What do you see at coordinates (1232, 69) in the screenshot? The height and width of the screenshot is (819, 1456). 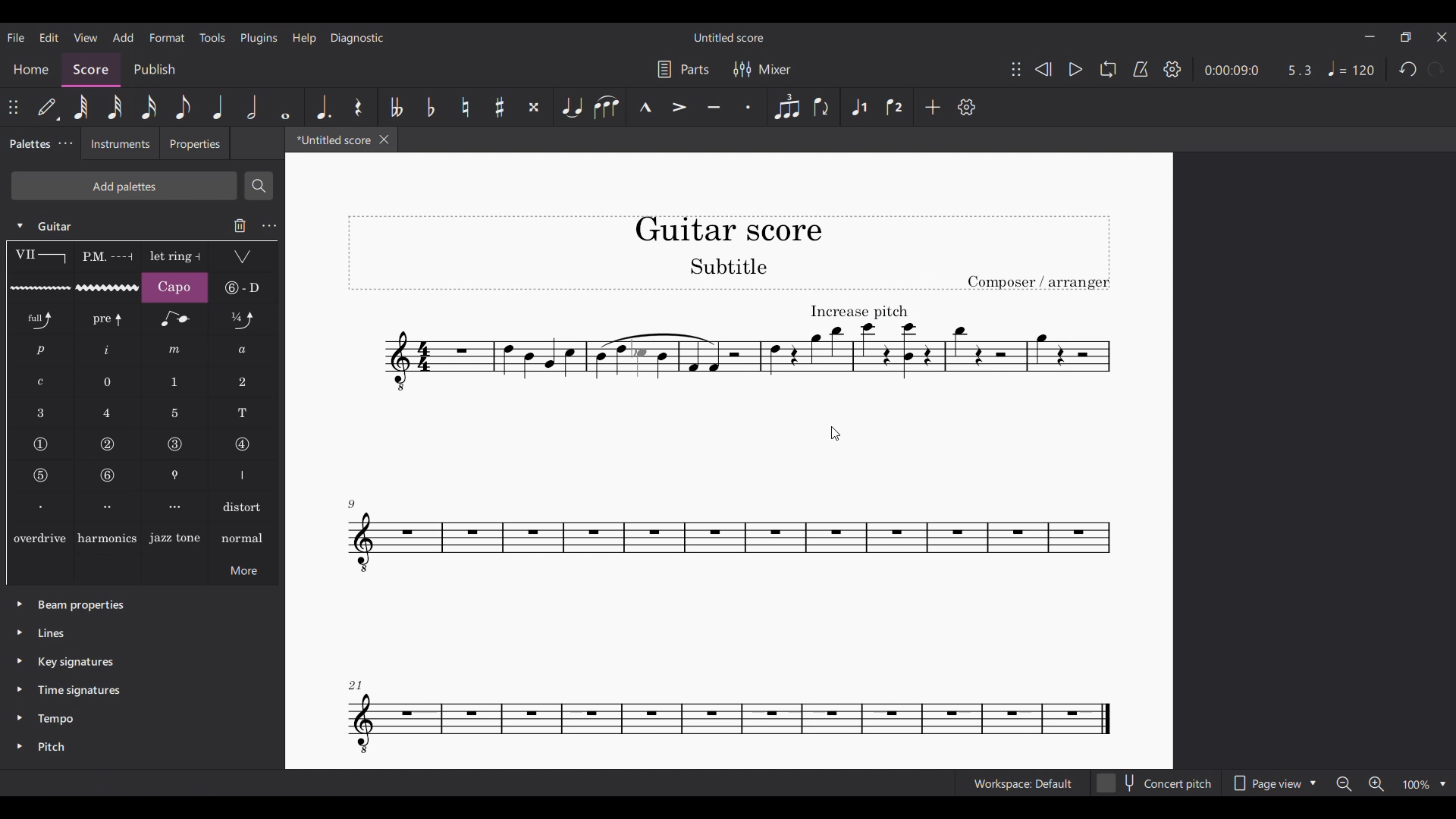 I see `Current duration` at bounding box center [1232, 69].